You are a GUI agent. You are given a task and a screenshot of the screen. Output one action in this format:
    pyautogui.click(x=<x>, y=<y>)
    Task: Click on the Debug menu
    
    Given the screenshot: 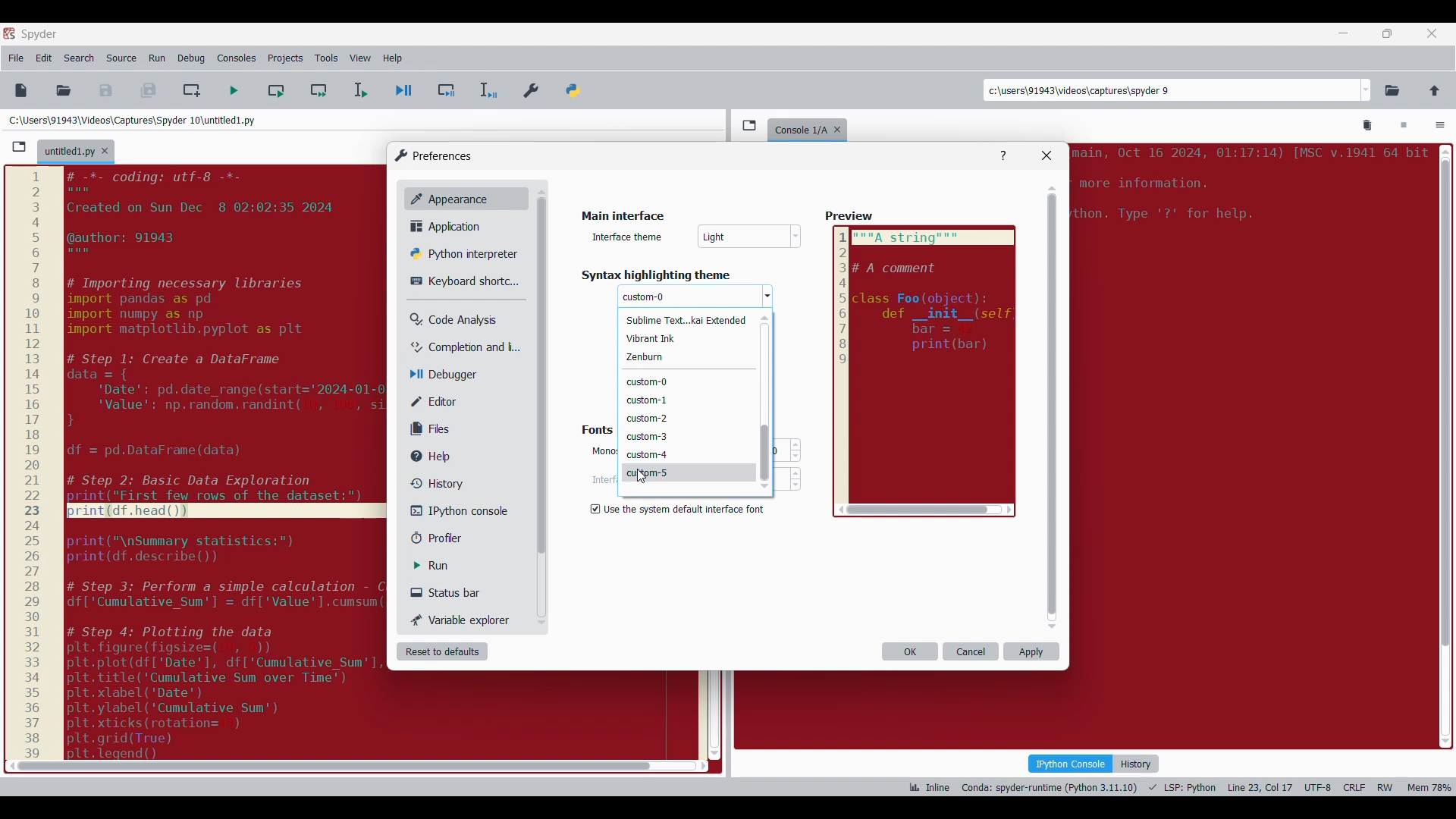 What is the action you would take?
    pyautogui.click(x=191, y=58)
    